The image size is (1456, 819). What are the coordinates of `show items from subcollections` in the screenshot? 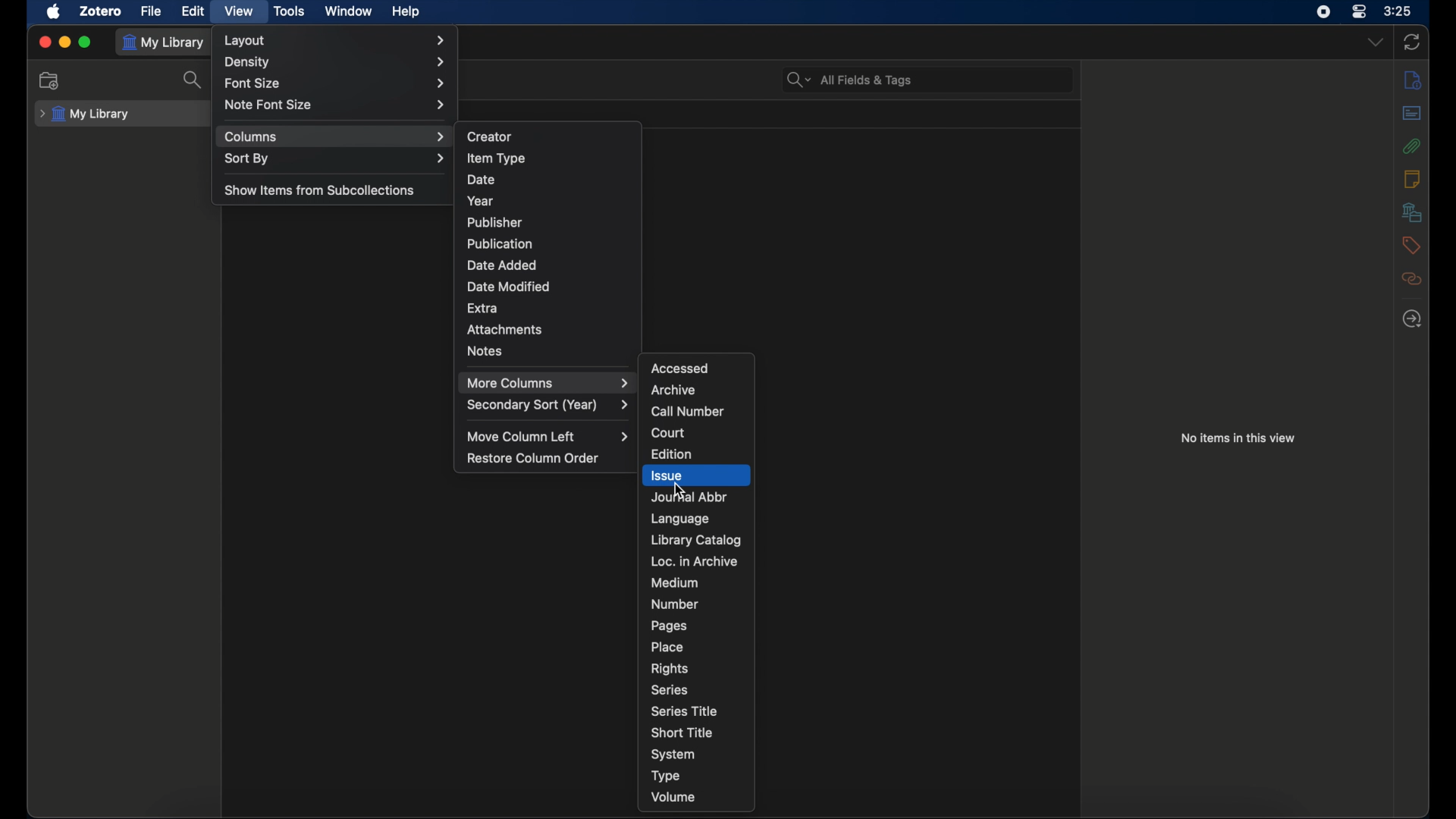 It's located at (320, 190).